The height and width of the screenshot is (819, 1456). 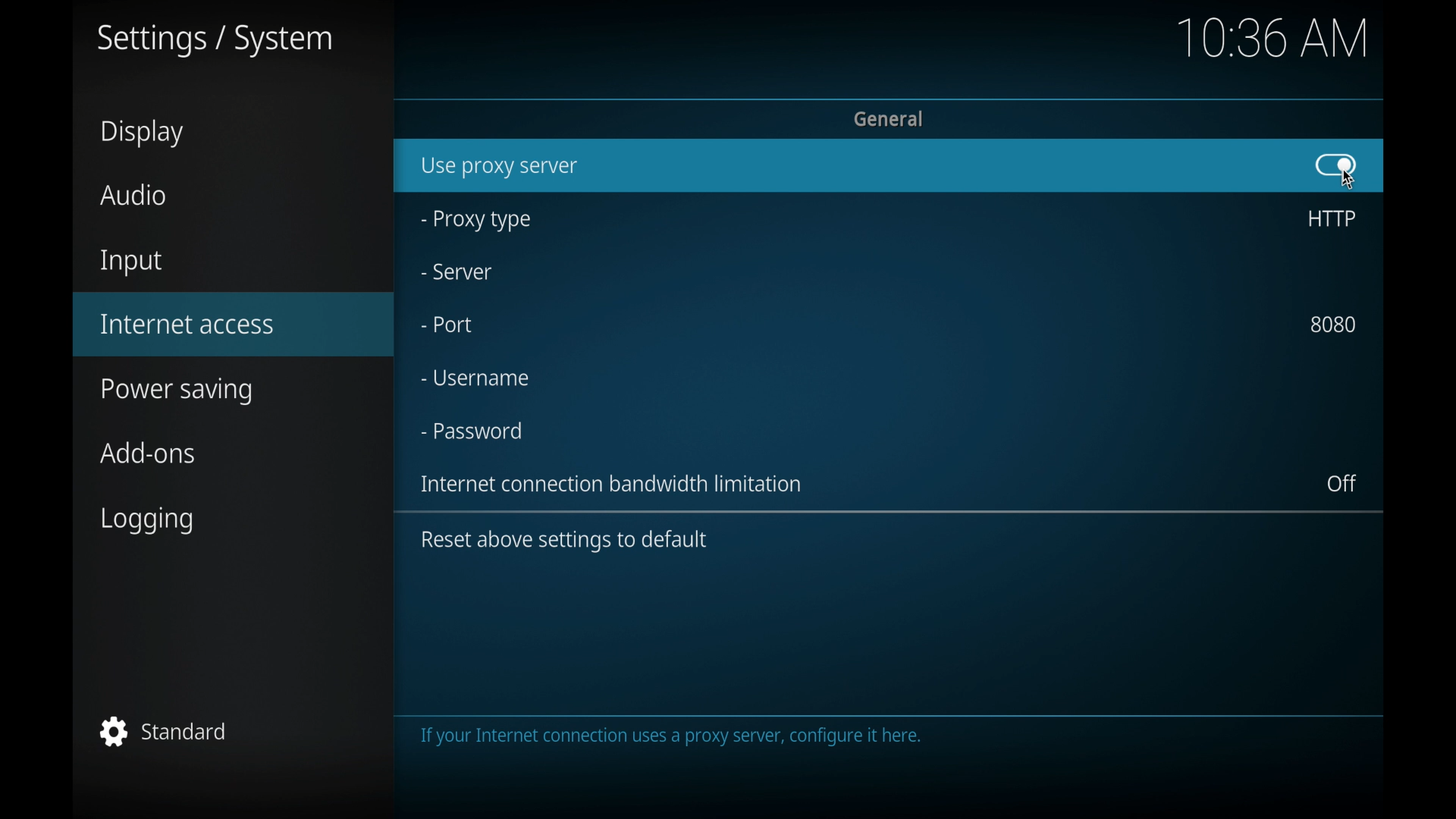 I want to click on use proxy server, so click(x=500, y=167).